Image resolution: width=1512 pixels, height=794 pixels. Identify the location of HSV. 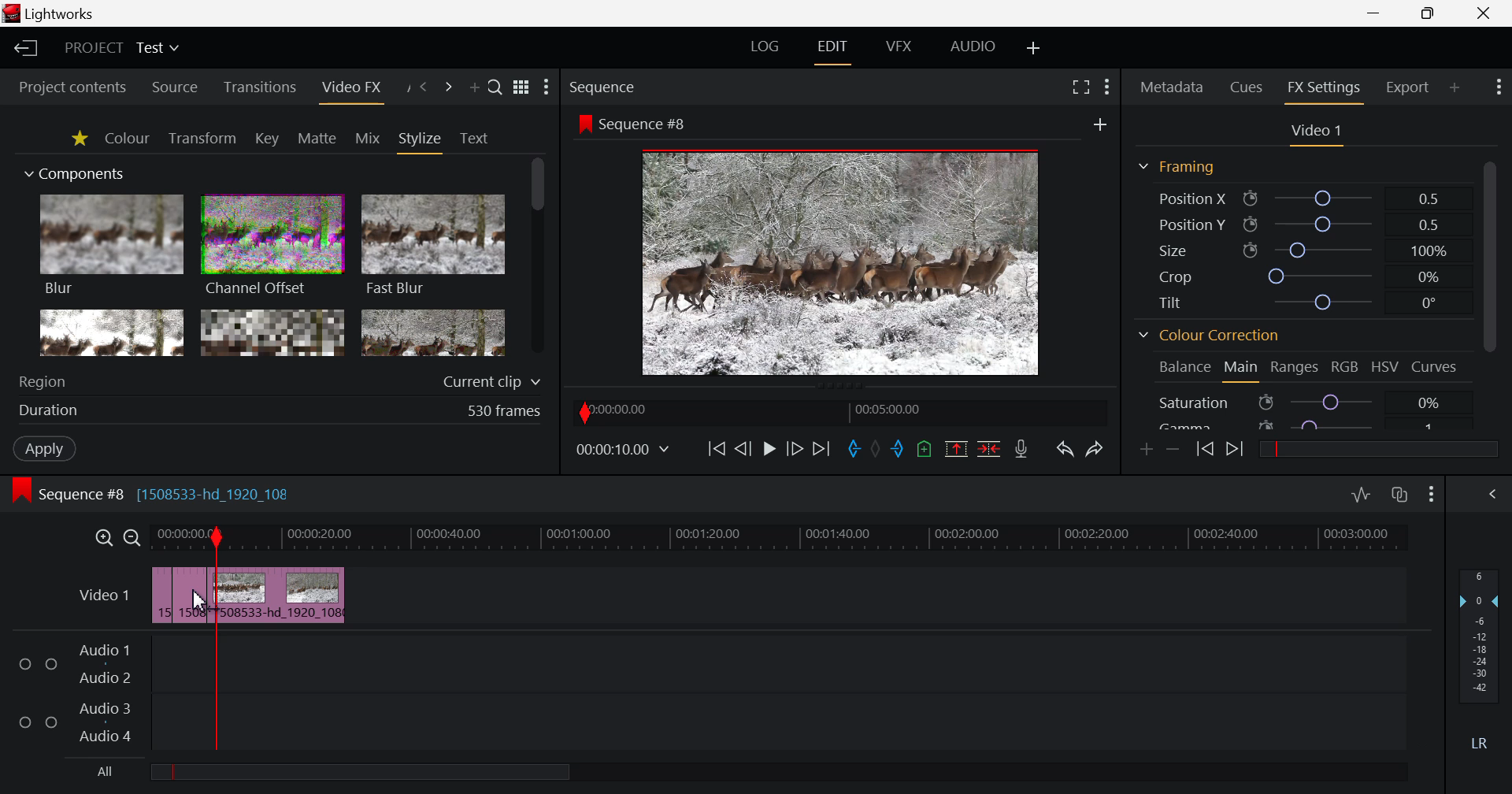
(1388, 368).